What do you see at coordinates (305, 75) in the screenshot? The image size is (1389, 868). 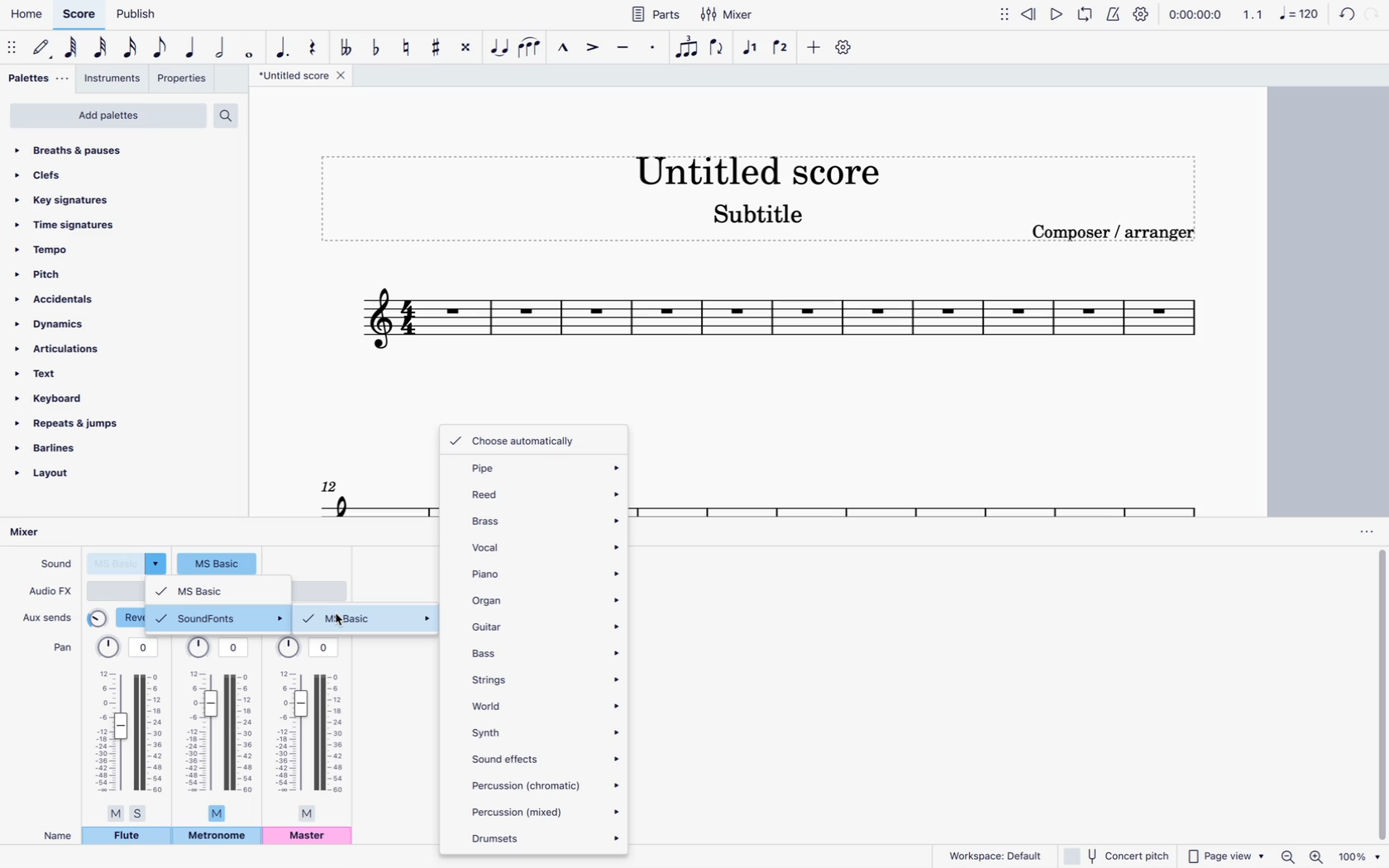 I see `score title` at bounding box center [305, 75].